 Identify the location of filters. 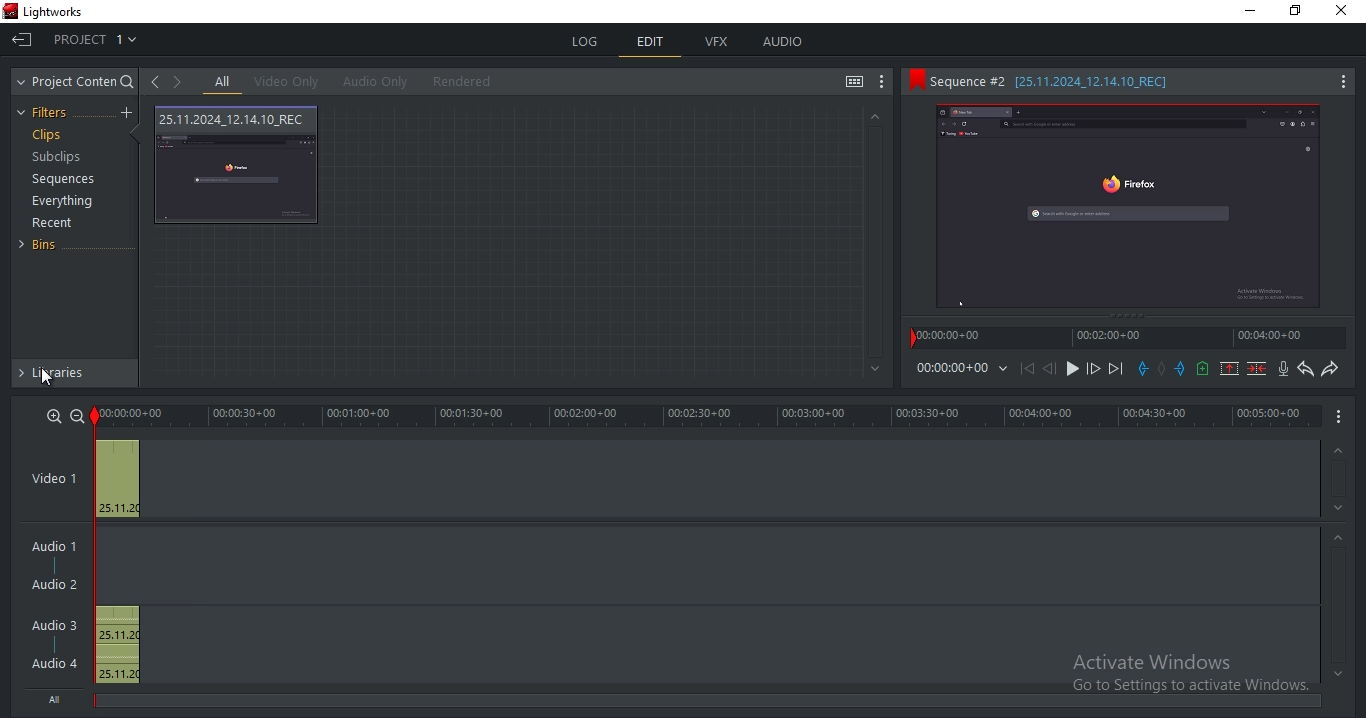
(45, 113).